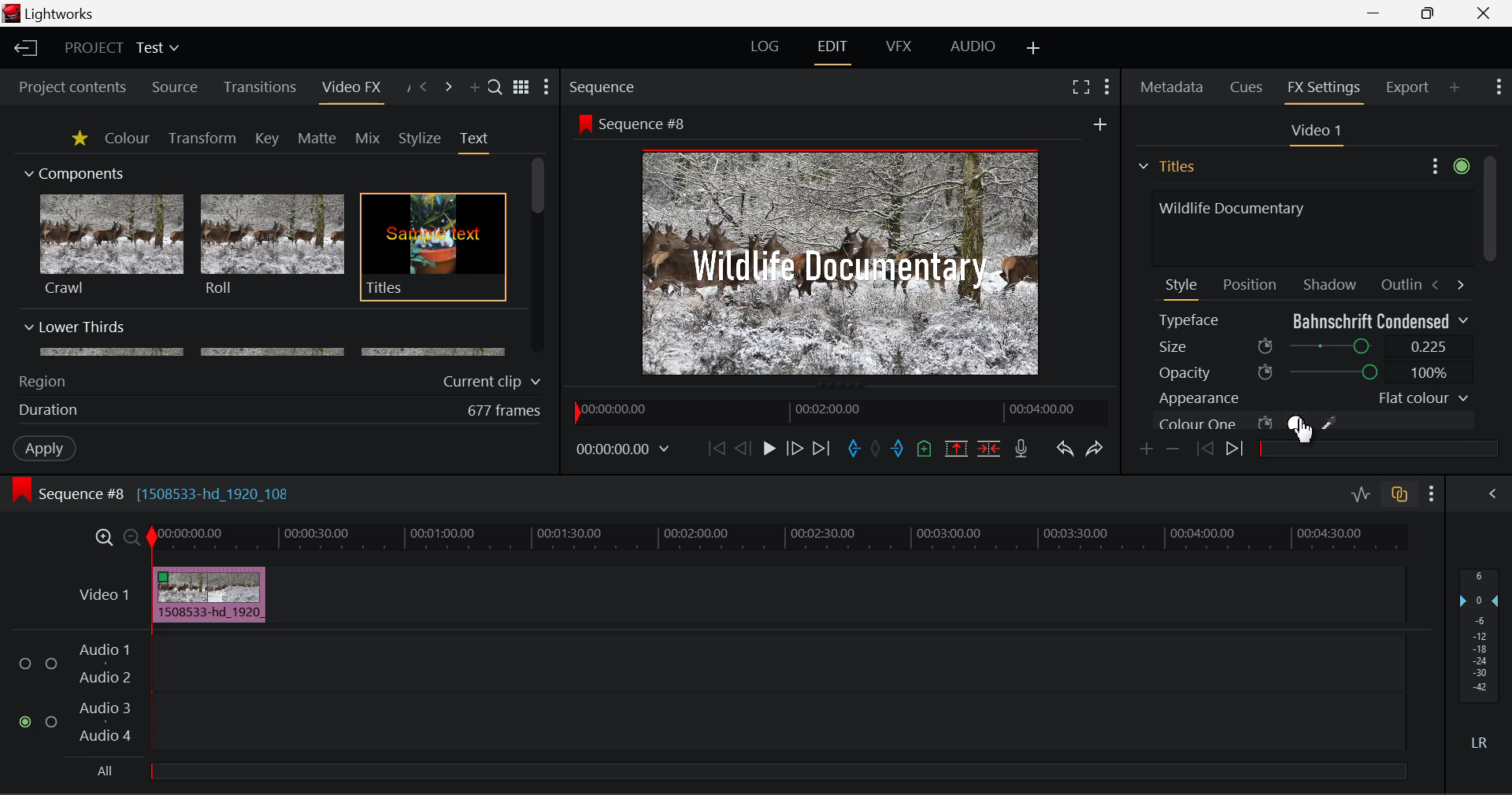  Describe the element at coordinates (175, 89) in the screenshot. I see `Source` at that location.